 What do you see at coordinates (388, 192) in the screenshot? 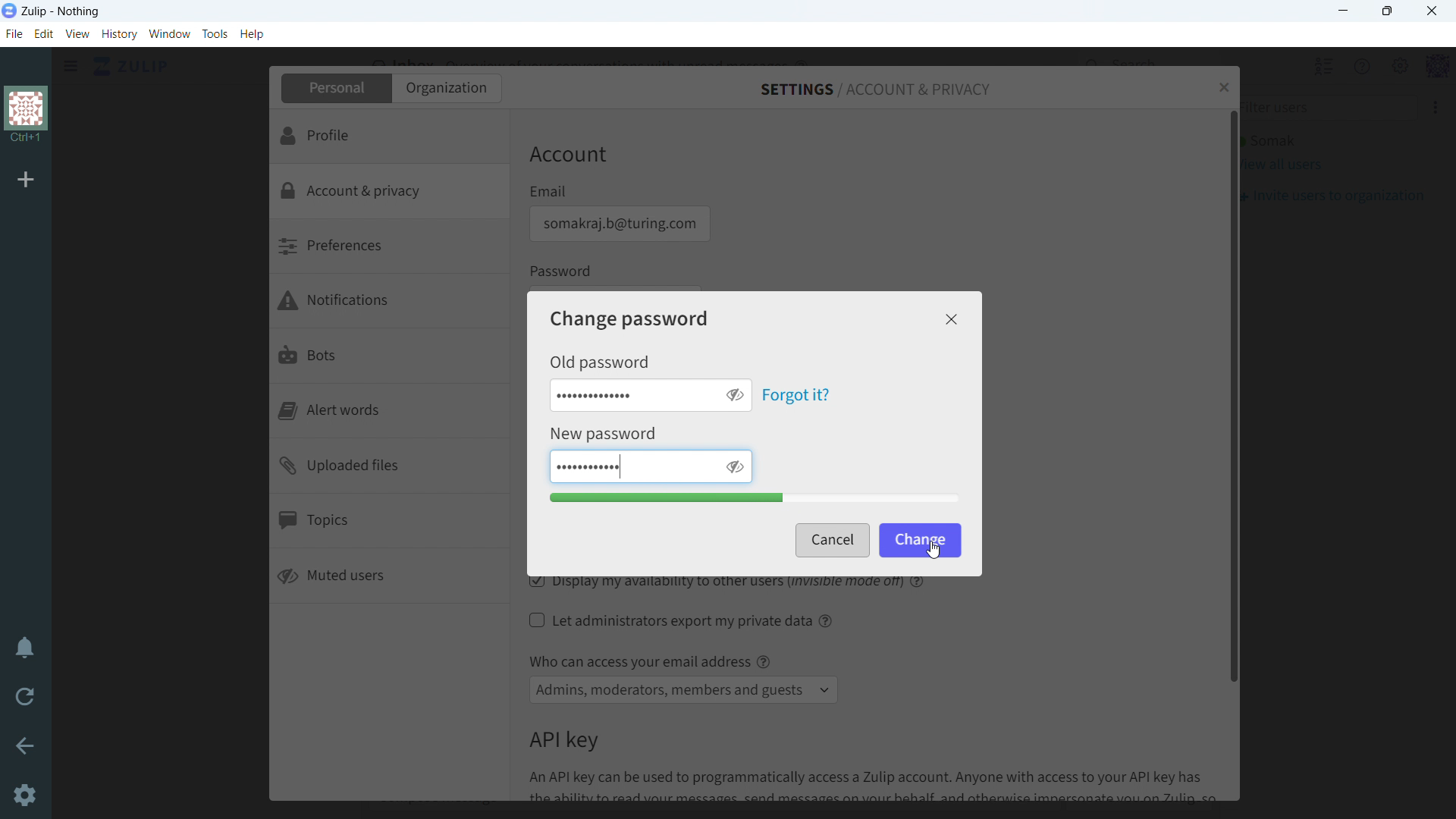
I see `account & privacy selected` at bounding box center [388, 192].